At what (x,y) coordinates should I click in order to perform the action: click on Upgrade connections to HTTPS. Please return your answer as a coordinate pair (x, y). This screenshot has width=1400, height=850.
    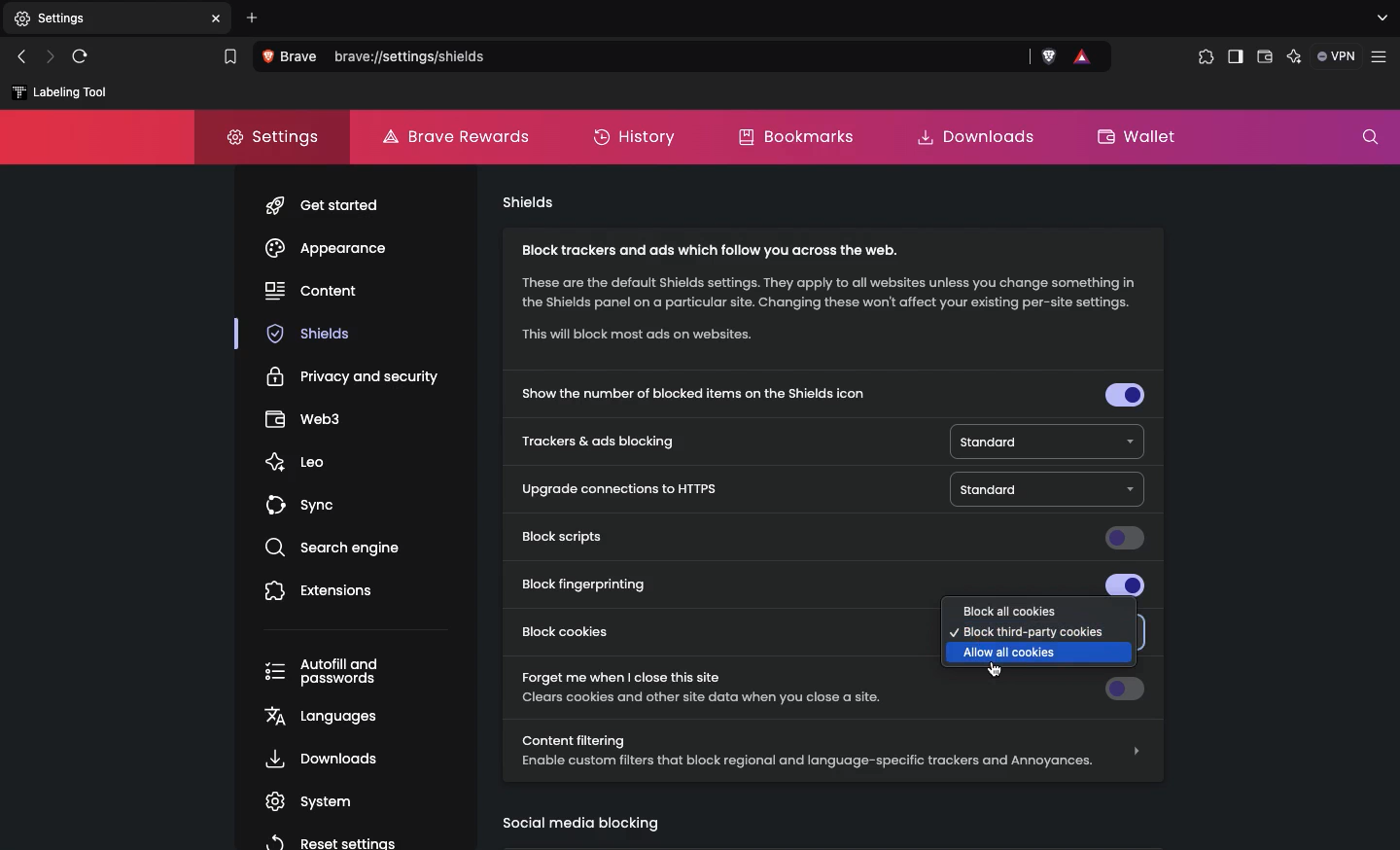
    Looking at the image, I should click on (617, 488).